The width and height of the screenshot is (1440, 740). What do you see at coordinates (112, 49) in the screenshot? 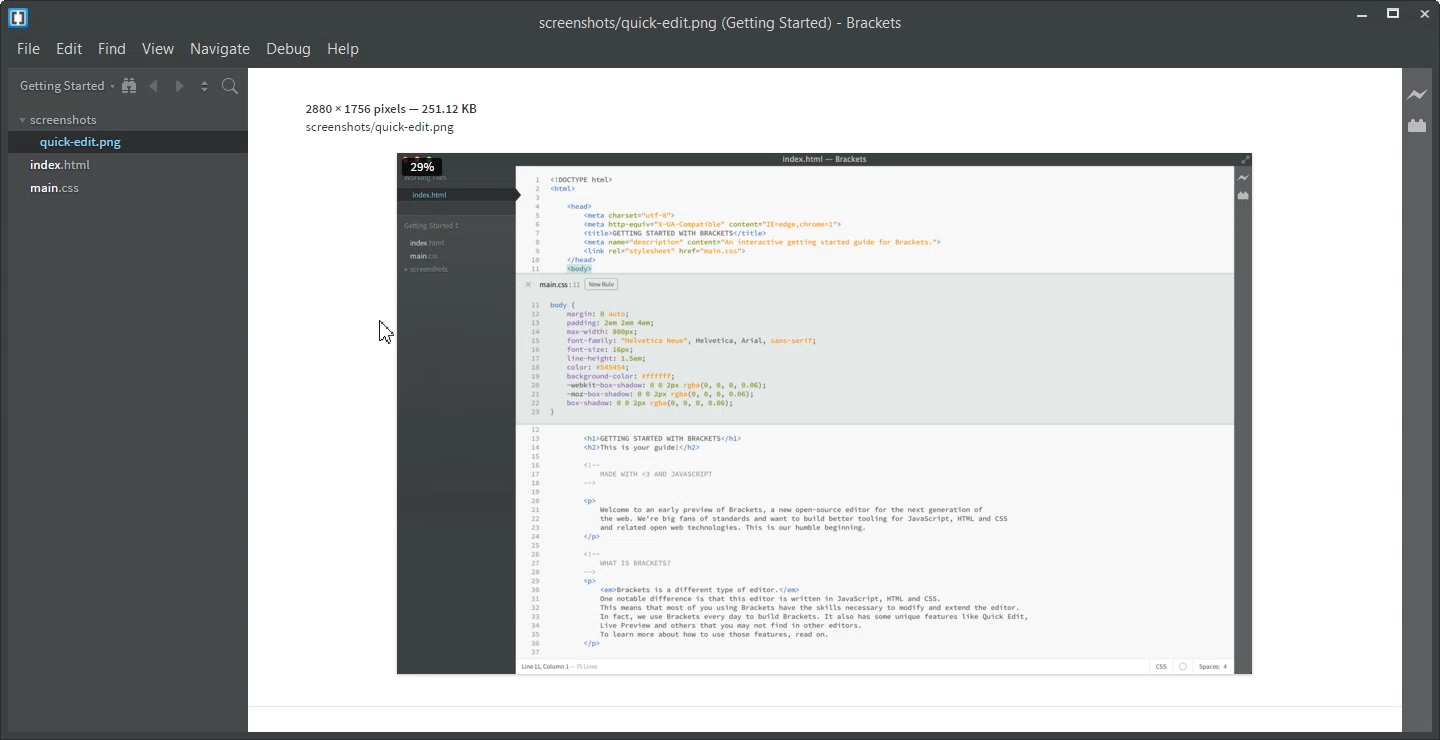
I see `Find` at bounding box center [112, 49].